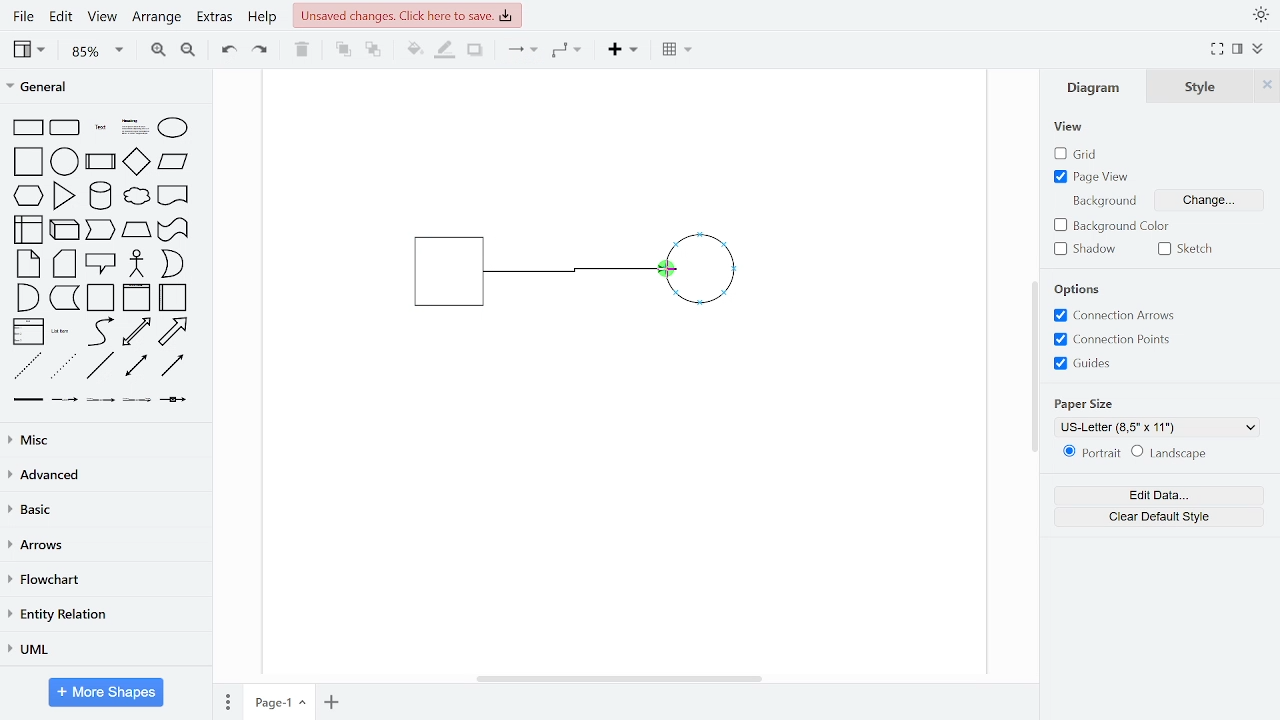 Image resolution: width=1280 pixels, height=720 pixels. Describe the element at coordinates (102, 264) in the screenshot. I see `callout` at that location.